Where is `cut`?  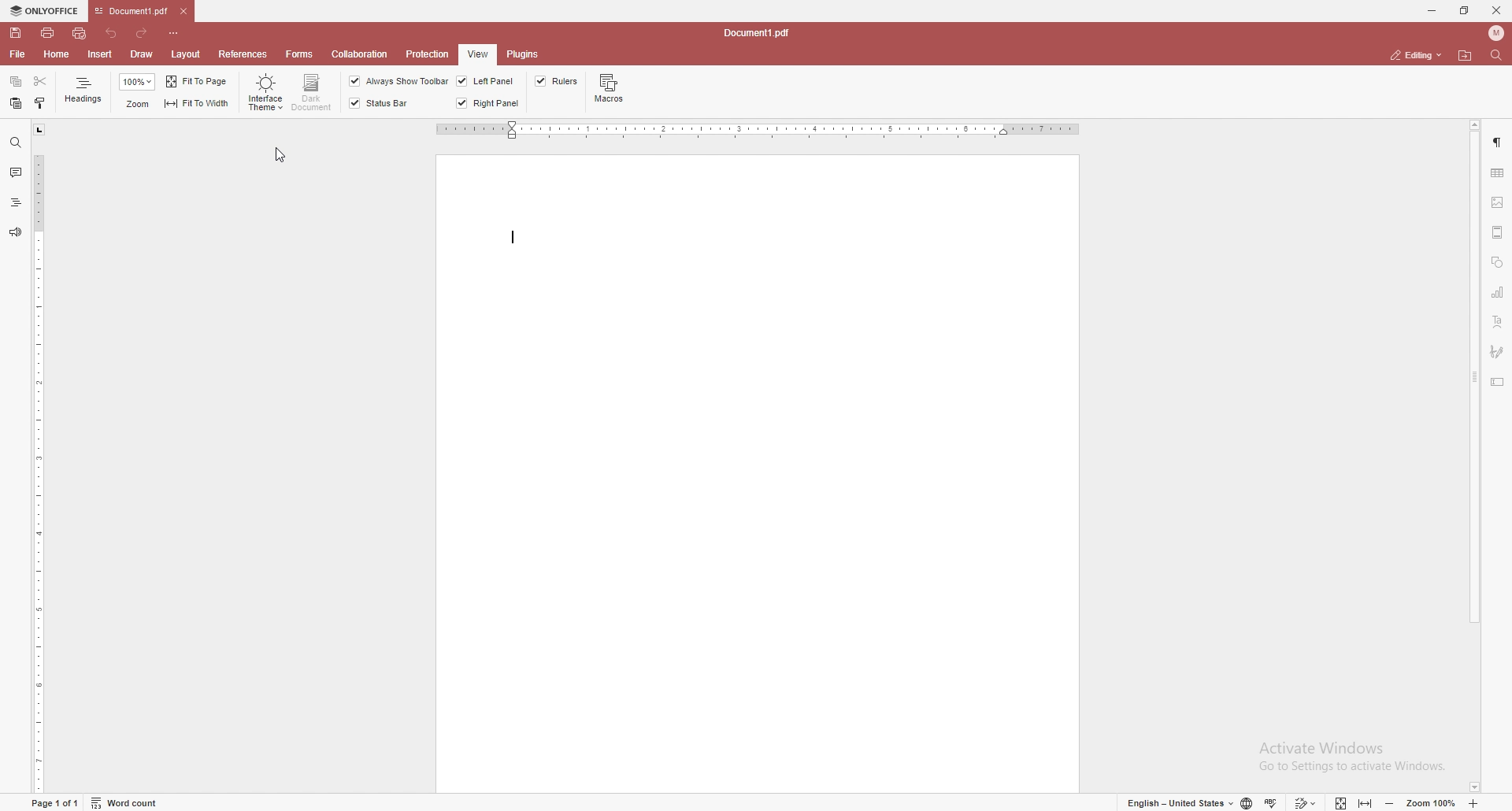 cut is located at coordinates (40, 82).